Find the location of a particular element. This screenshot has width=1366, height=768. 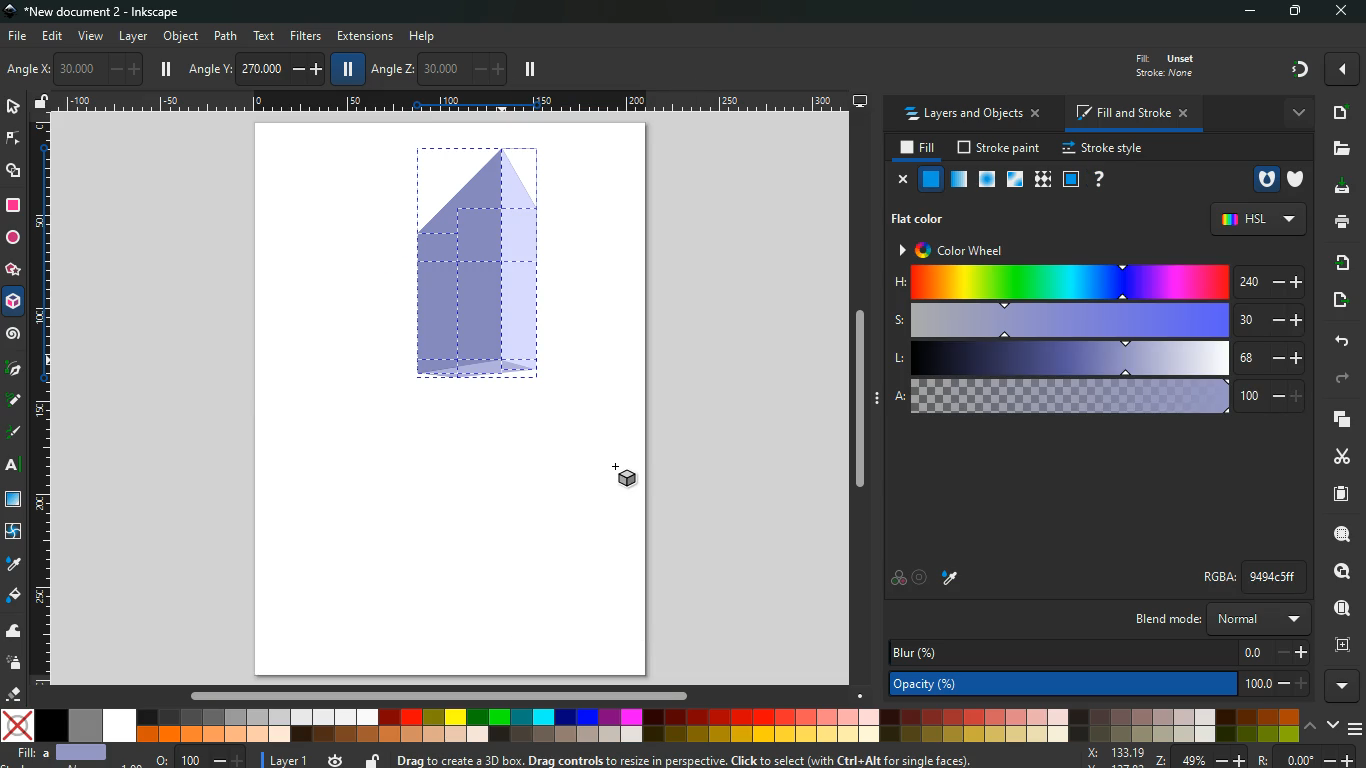

color wheel is located at coordinates (969, 247).